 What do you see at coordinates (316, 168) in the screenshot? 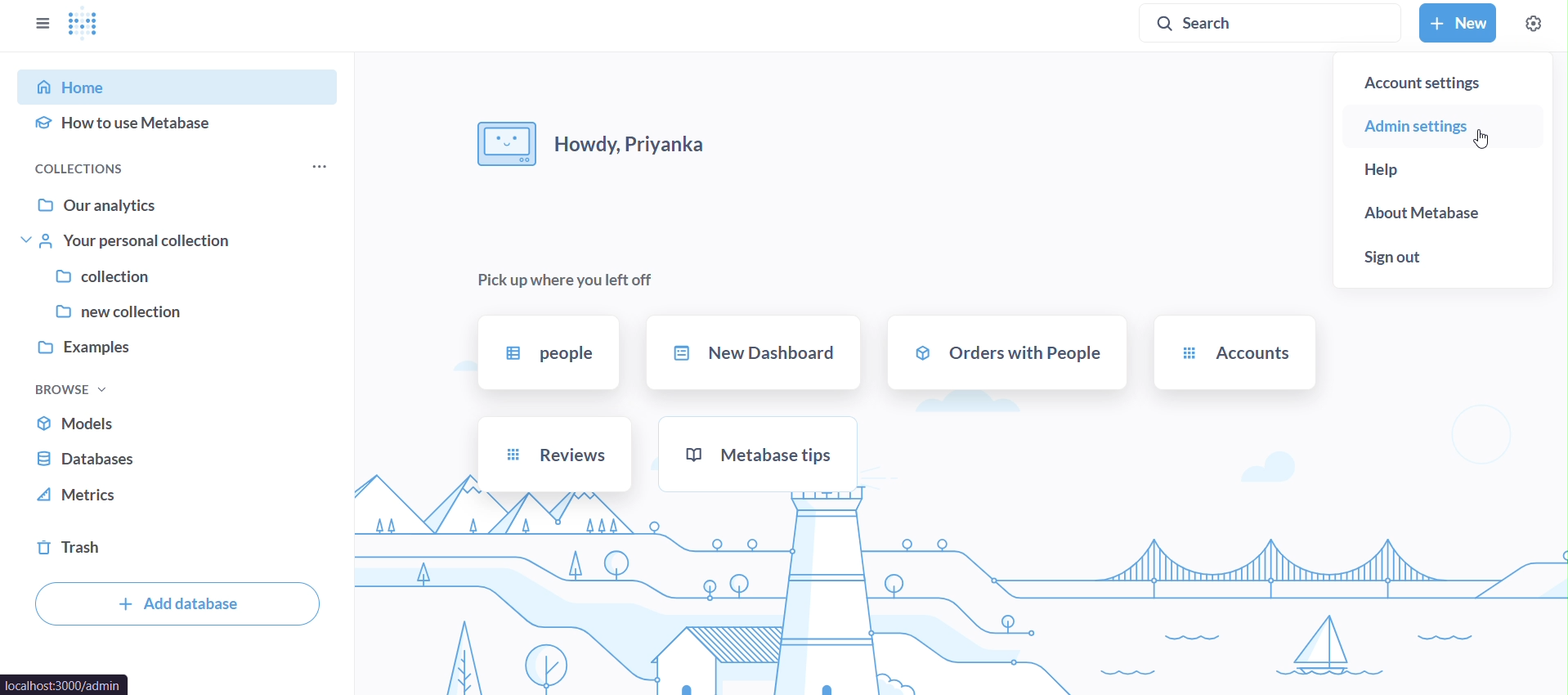
I see `more` at bounding box center [316, 168].